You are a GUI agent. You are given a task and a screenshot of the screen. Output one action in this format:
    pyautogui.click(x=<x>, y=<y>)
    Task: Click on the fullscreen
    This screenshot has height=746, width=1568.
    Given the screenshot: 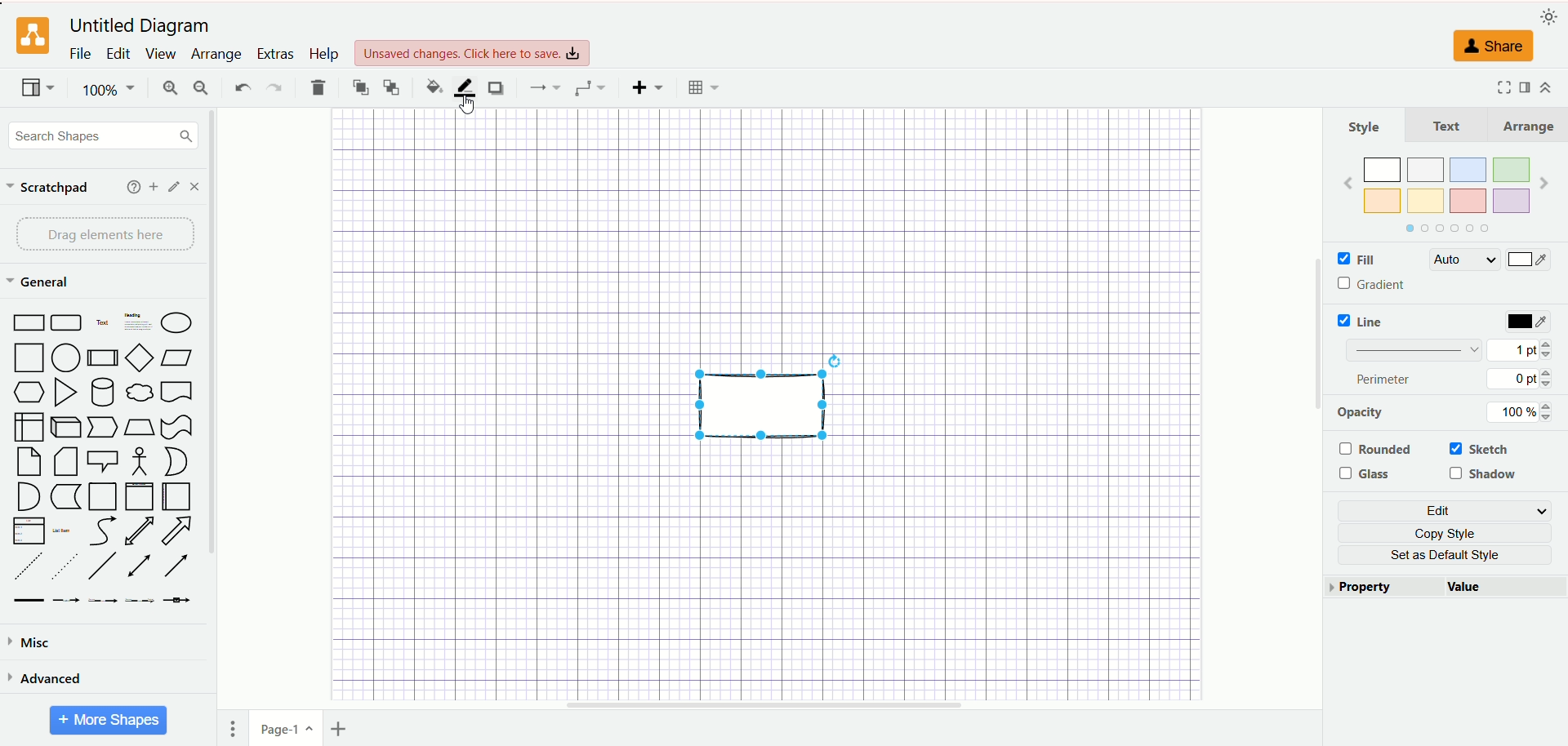 What is the action you would take?
    pyautogui.click(x=1501, y=87)
    